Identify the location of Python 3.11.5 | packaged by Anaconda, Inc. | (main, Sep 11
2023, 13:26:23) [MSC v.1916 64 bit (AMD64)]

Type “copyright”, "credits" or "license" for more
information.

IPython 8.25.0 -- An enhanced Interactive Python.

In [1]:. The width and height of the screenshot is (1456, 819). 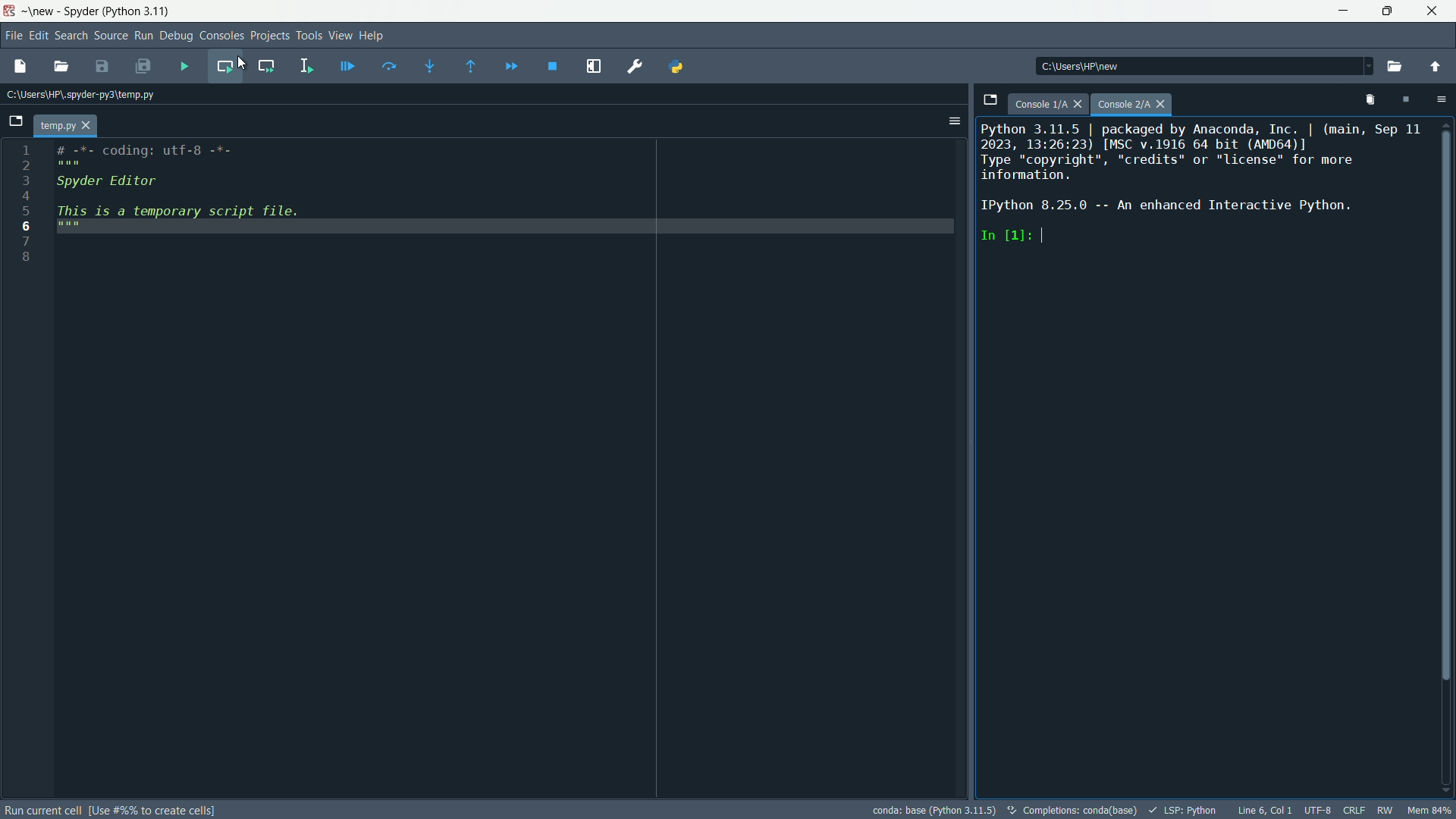
(1200, 190).